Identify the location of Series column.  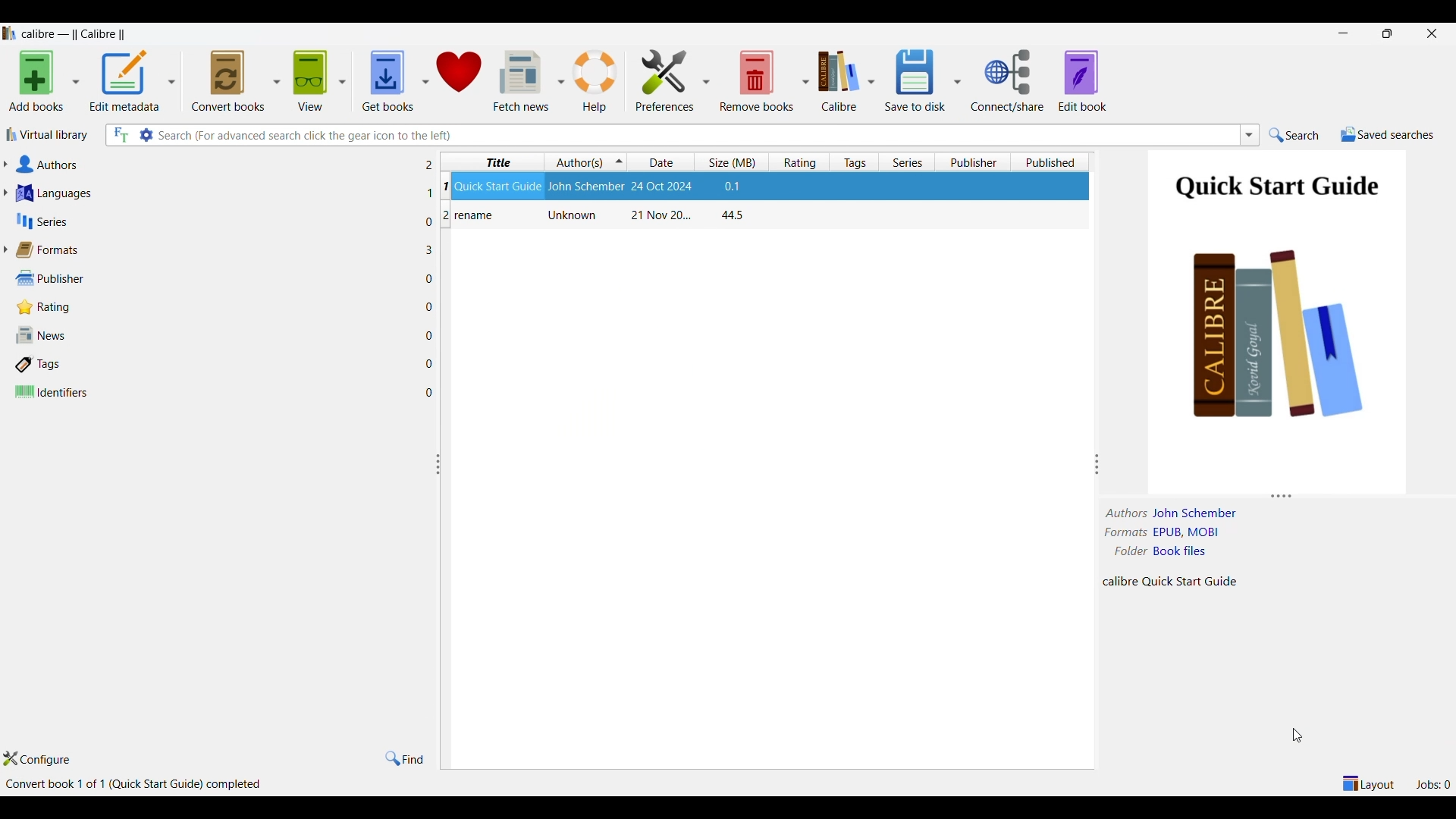
(906, 162).